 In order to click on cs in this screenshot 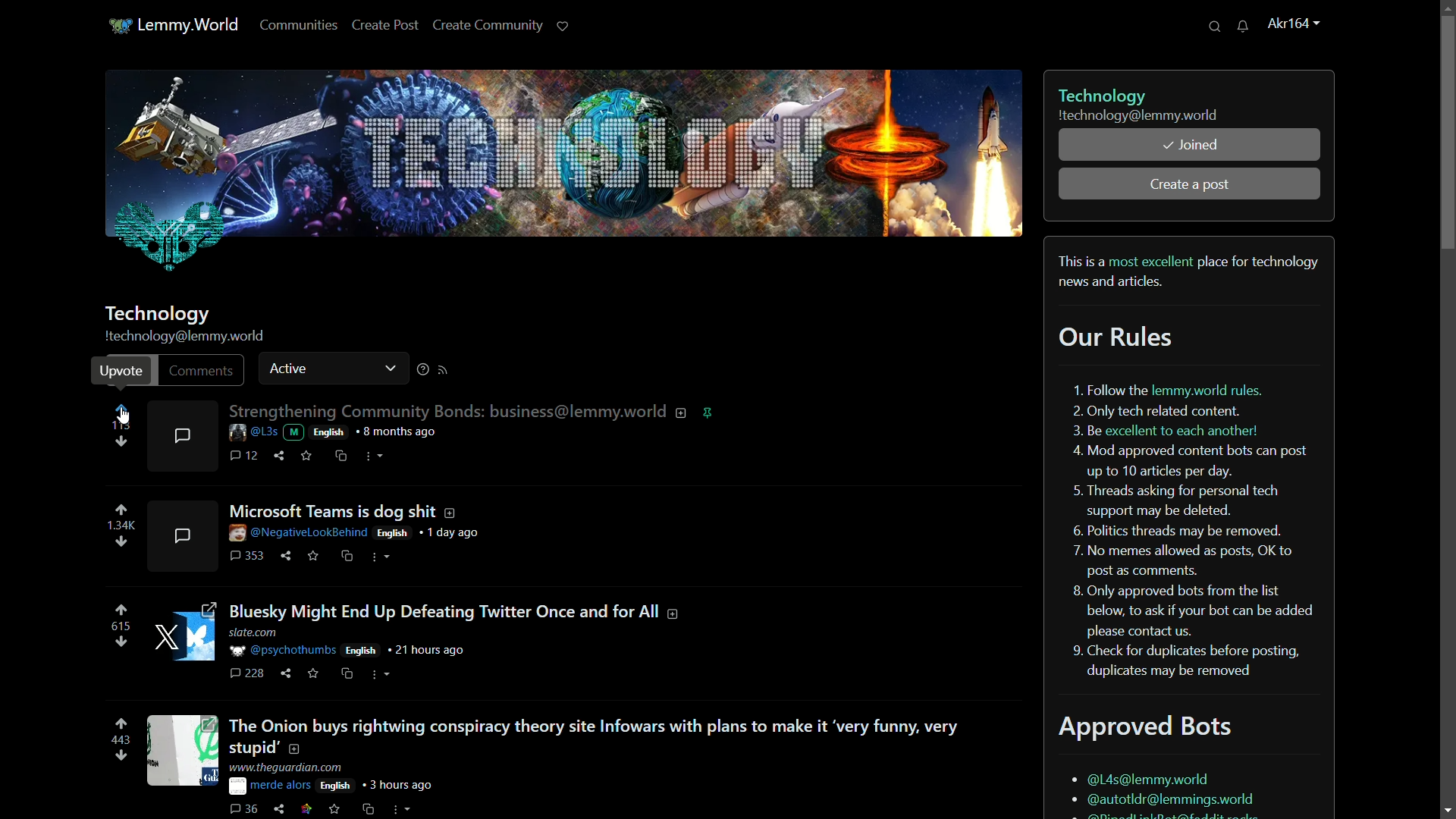, I will do `click(349, 554)`.